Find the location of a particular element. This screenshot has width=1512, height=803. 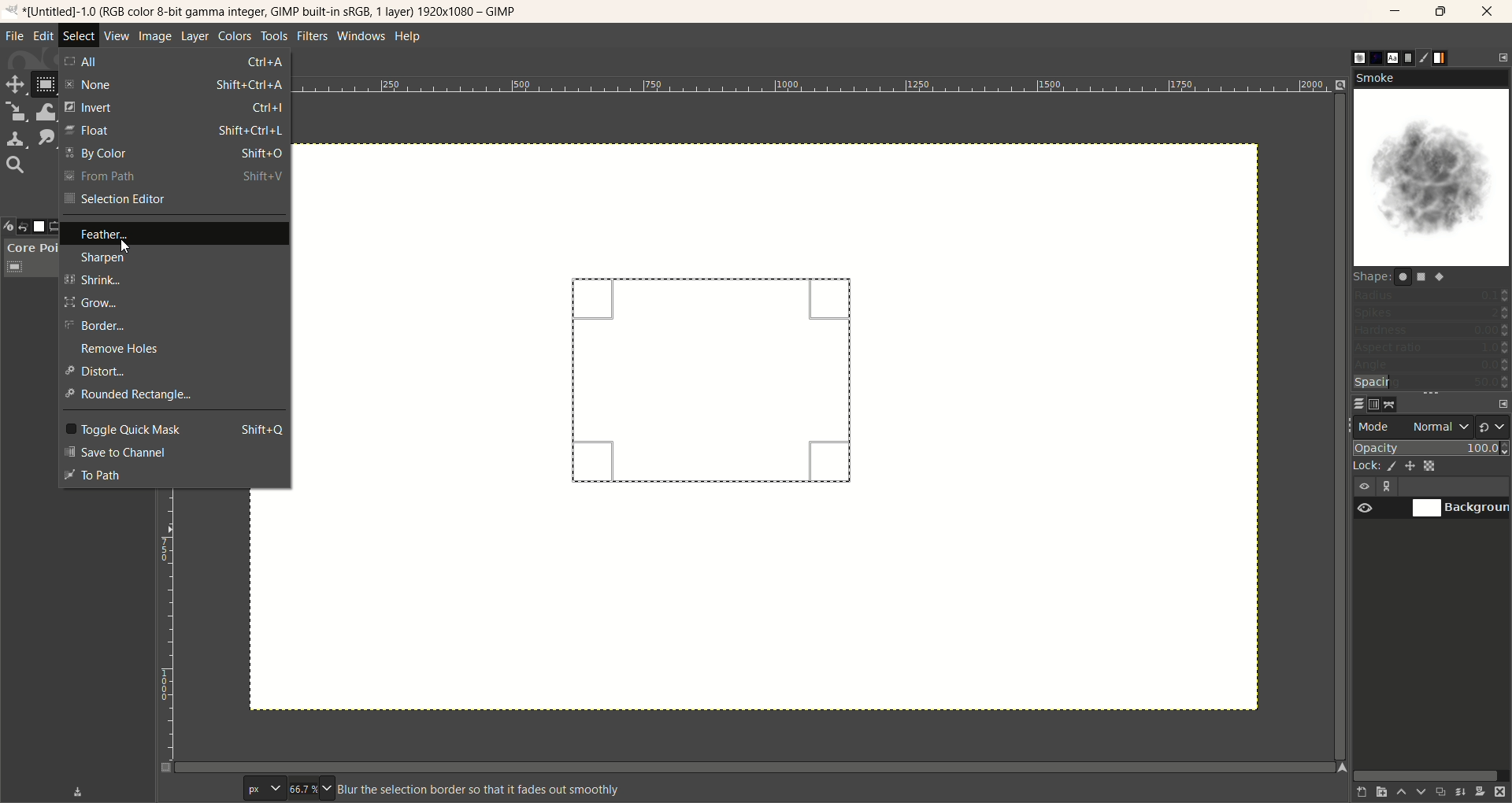

edit is located at coordinates (44, 35).